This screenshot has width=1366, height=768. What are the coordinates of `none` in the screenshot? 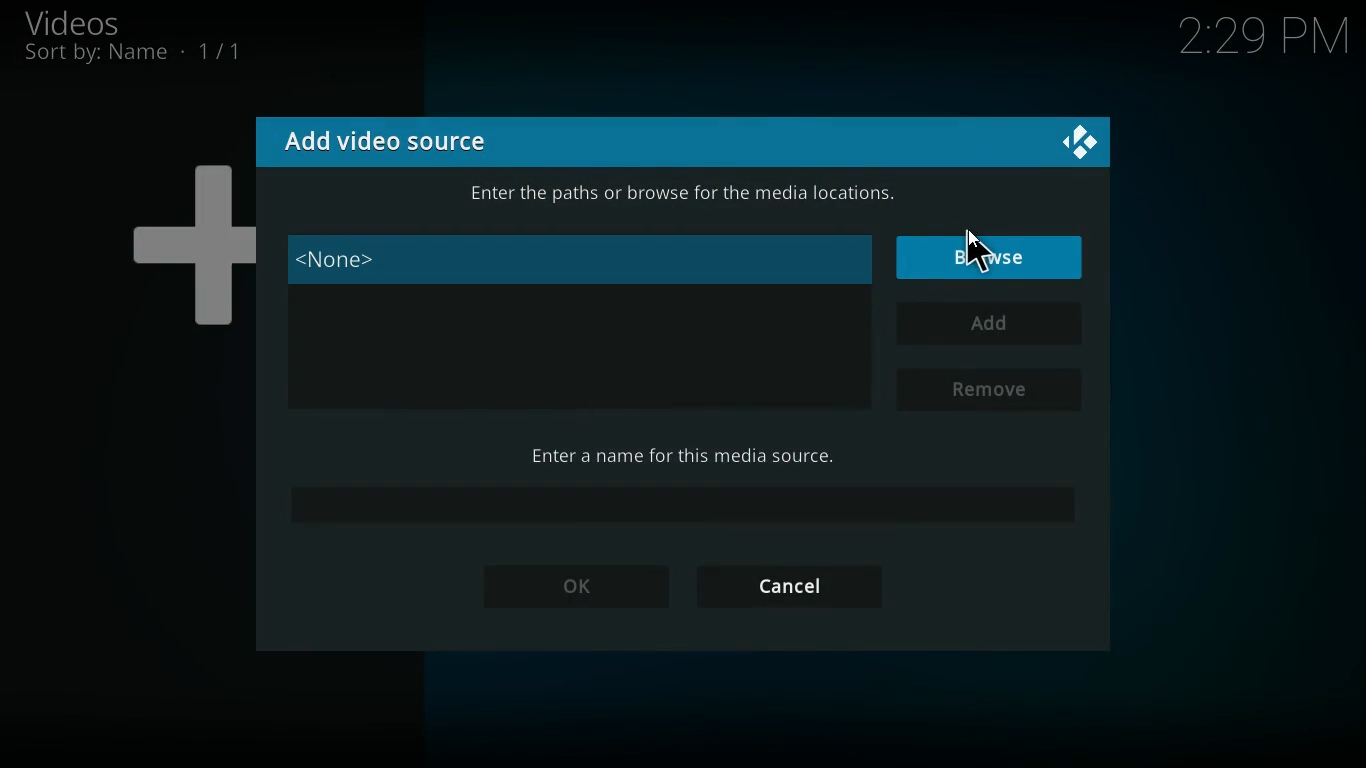 It's located at (581, 259).